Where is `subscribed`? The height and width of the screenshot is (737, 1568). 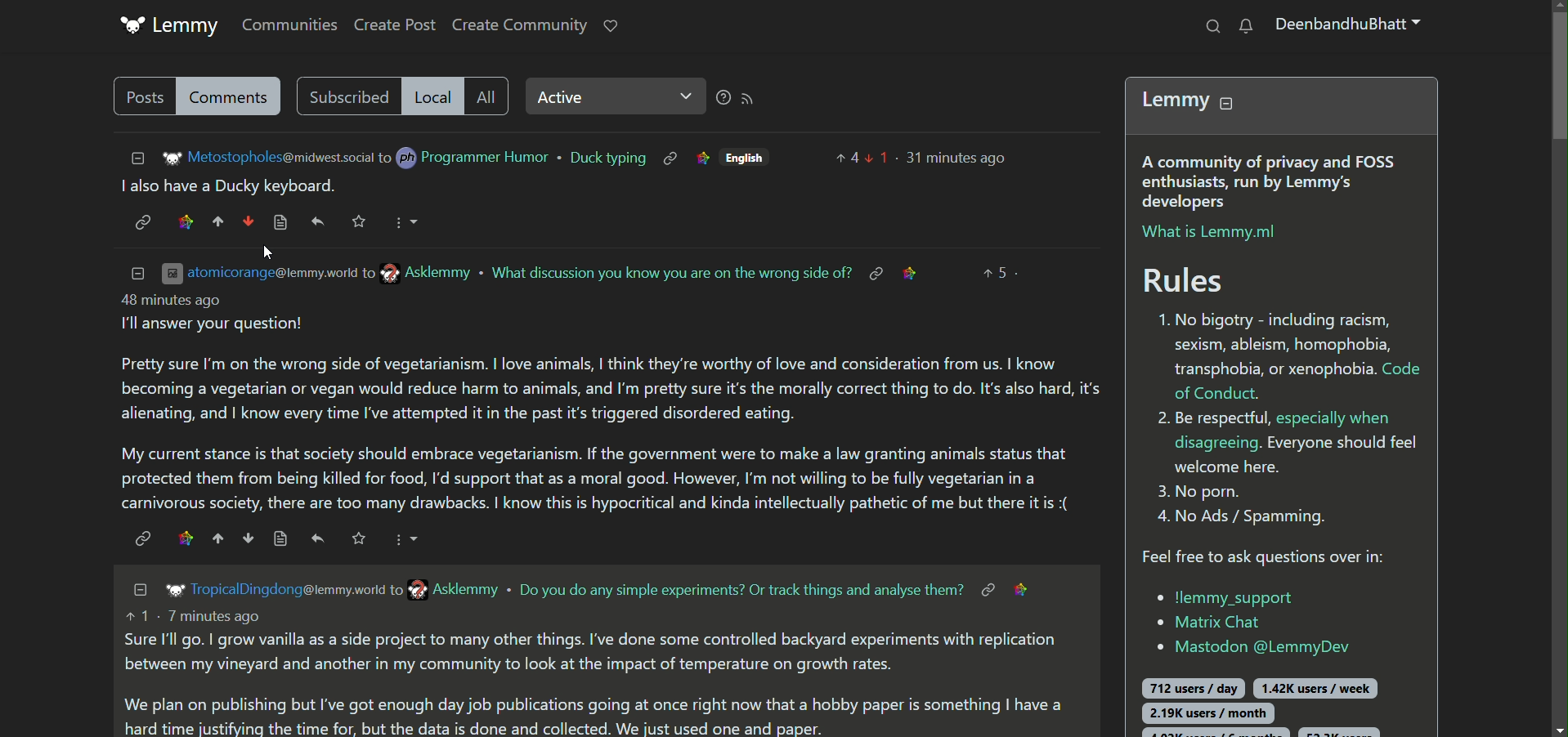 subscribed is located at coordinates (344, 96).